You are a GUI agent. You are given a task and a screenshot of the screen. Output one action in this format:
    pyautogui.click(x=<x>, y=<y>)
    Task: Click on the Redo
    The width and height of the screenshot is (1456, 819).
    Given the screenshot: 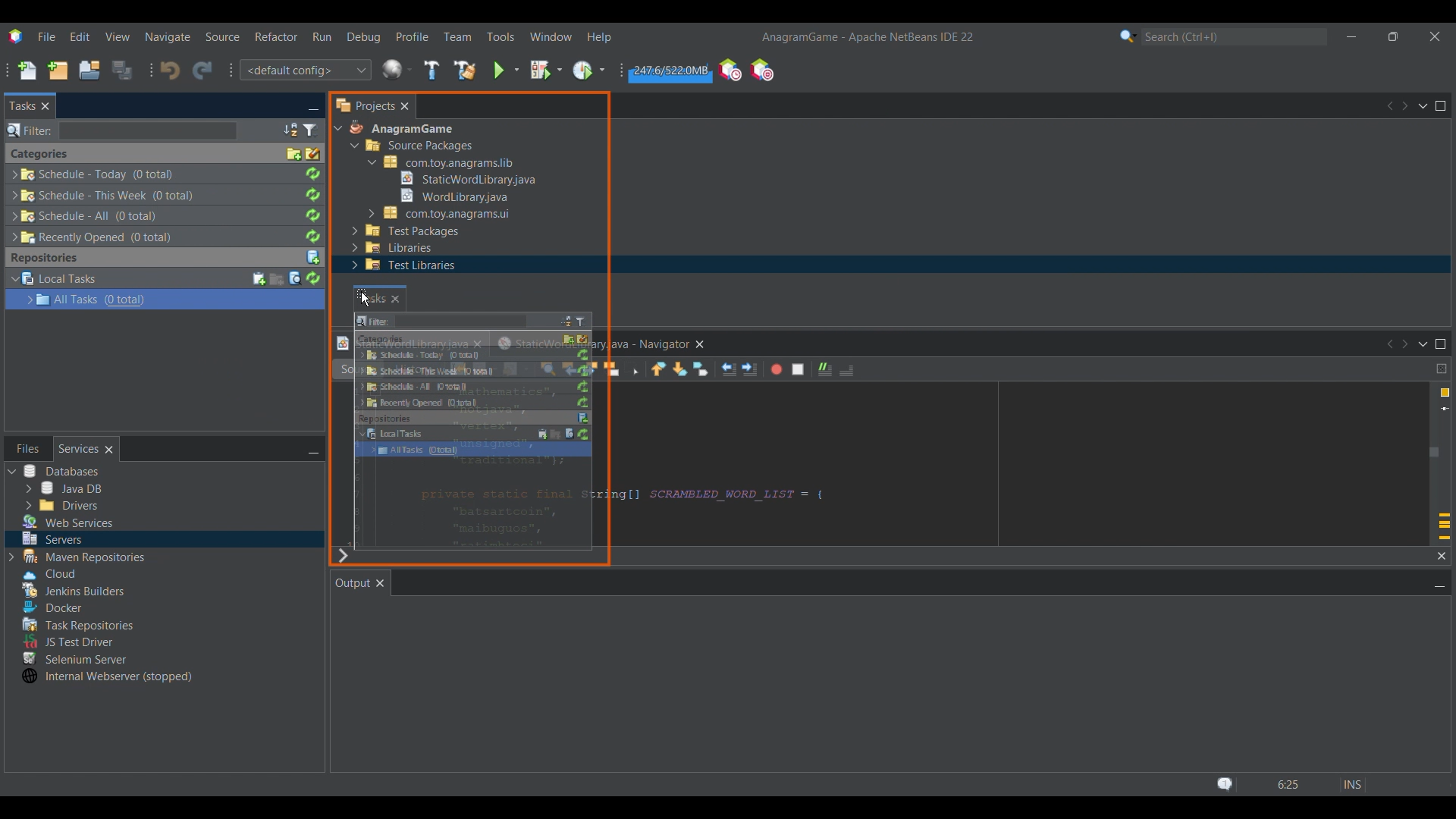 What is the action you would take?
    pyautogui.click(x=202, y=71)
    